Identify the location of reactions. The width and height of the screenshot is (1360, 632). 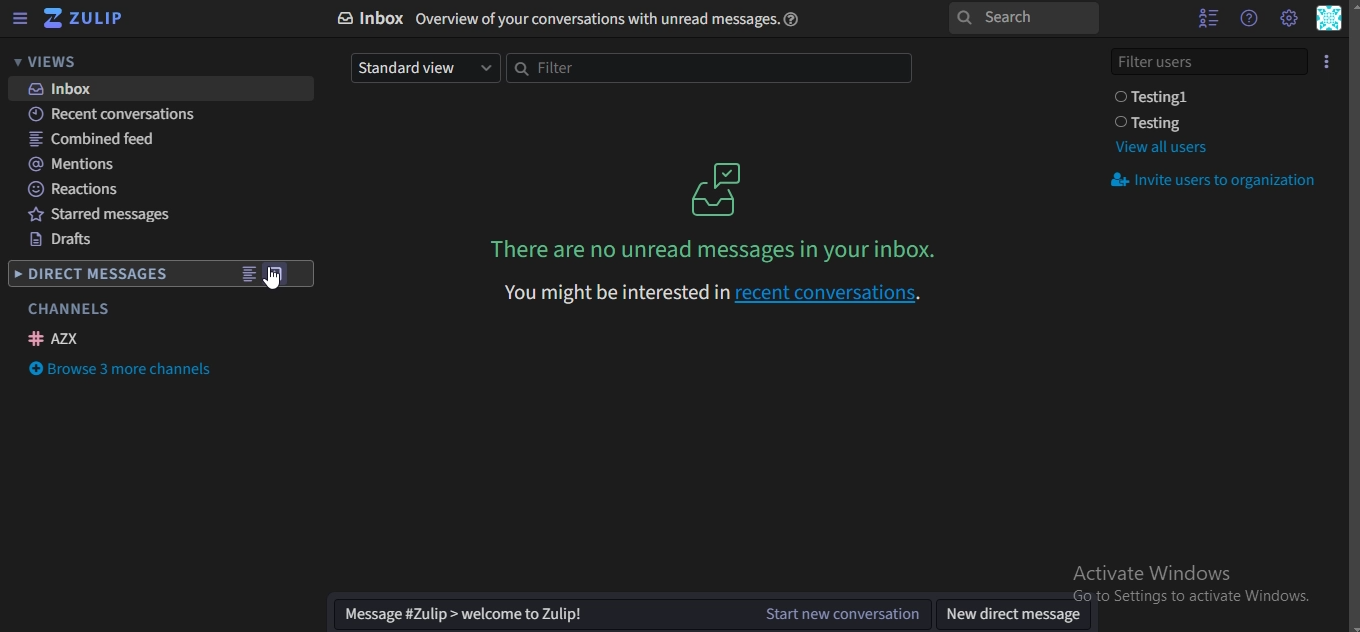
(76, 189).